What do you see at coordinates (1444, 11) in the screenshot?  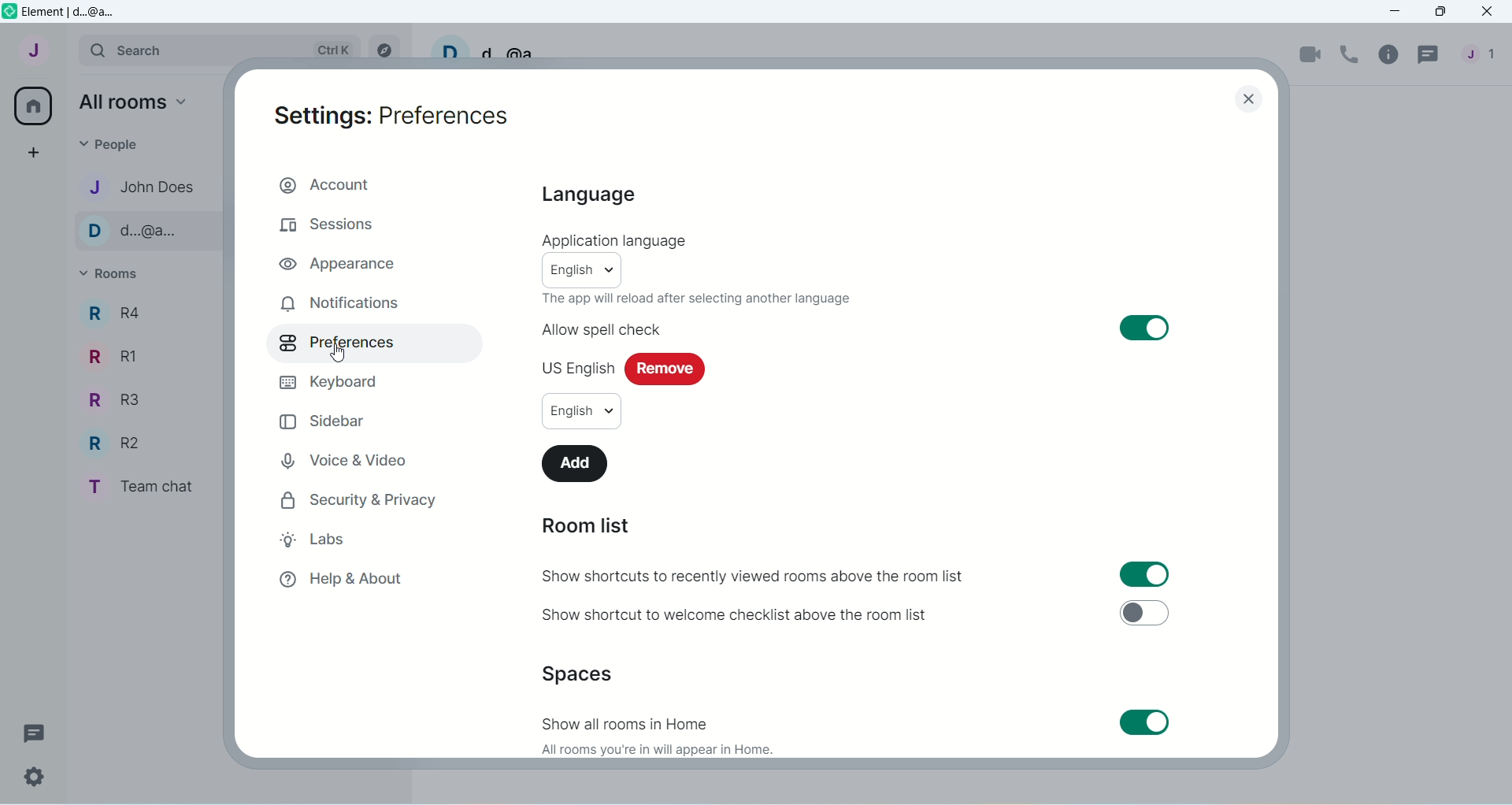 I see `Maximize` at bounding box center [1444, 11].